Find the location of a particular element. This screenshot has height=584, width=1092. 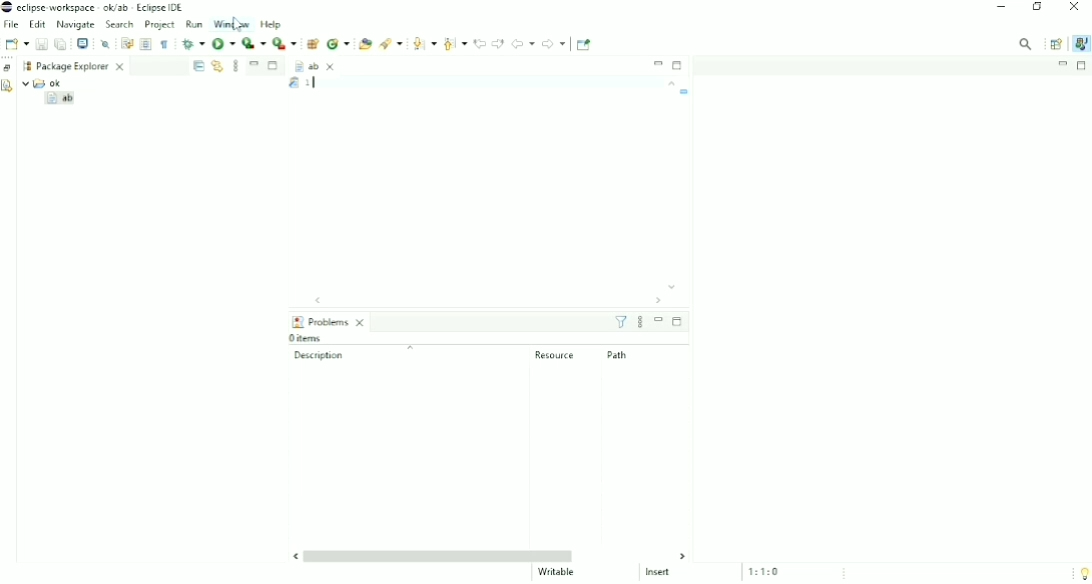

Toggle Block Selection is located at coordinates (146, 44).